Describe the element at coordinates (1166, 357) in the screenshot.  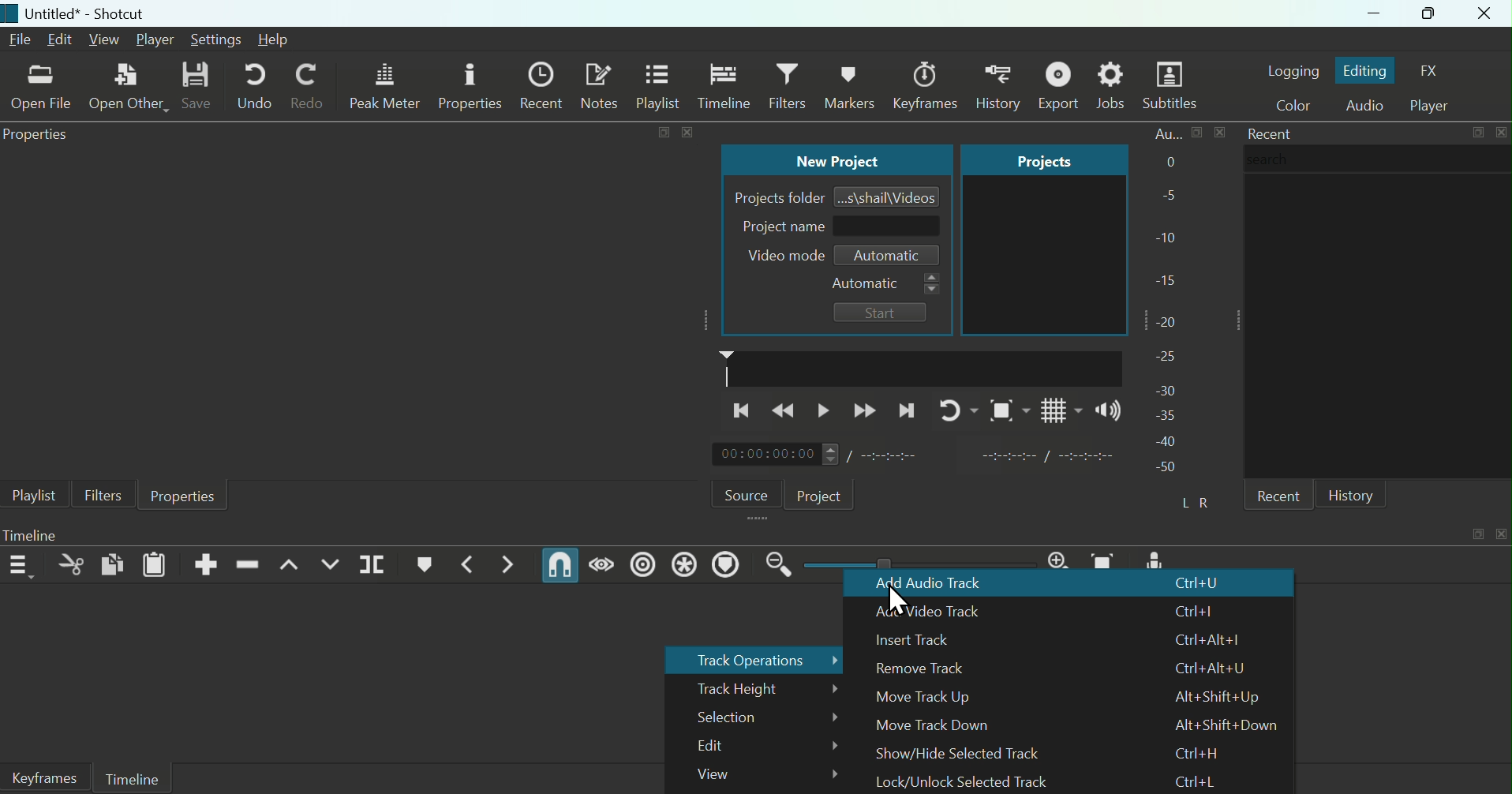
I see `-25` at that location.